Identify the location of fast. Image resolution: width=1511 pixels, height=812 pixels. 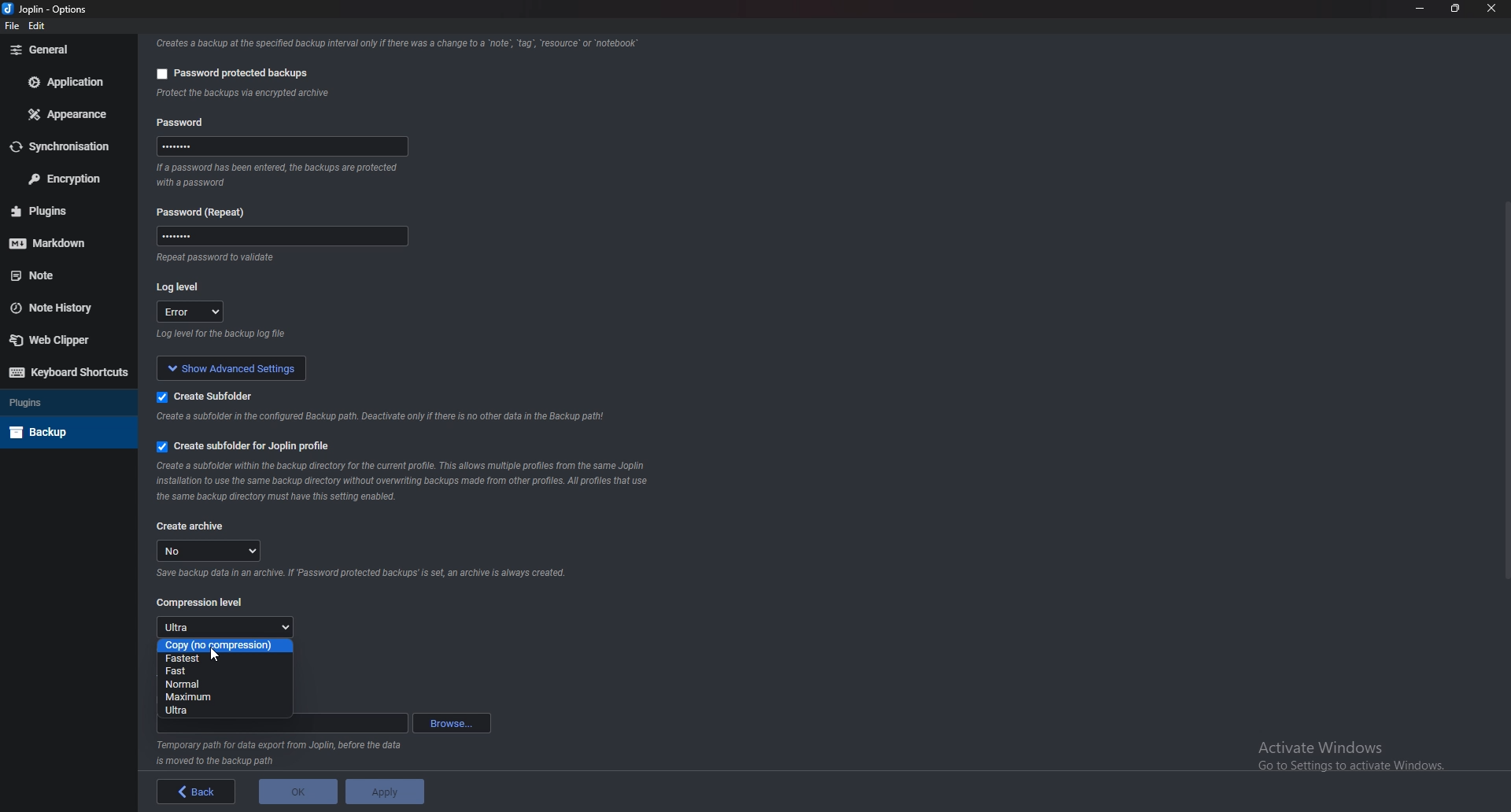
(224, 671).